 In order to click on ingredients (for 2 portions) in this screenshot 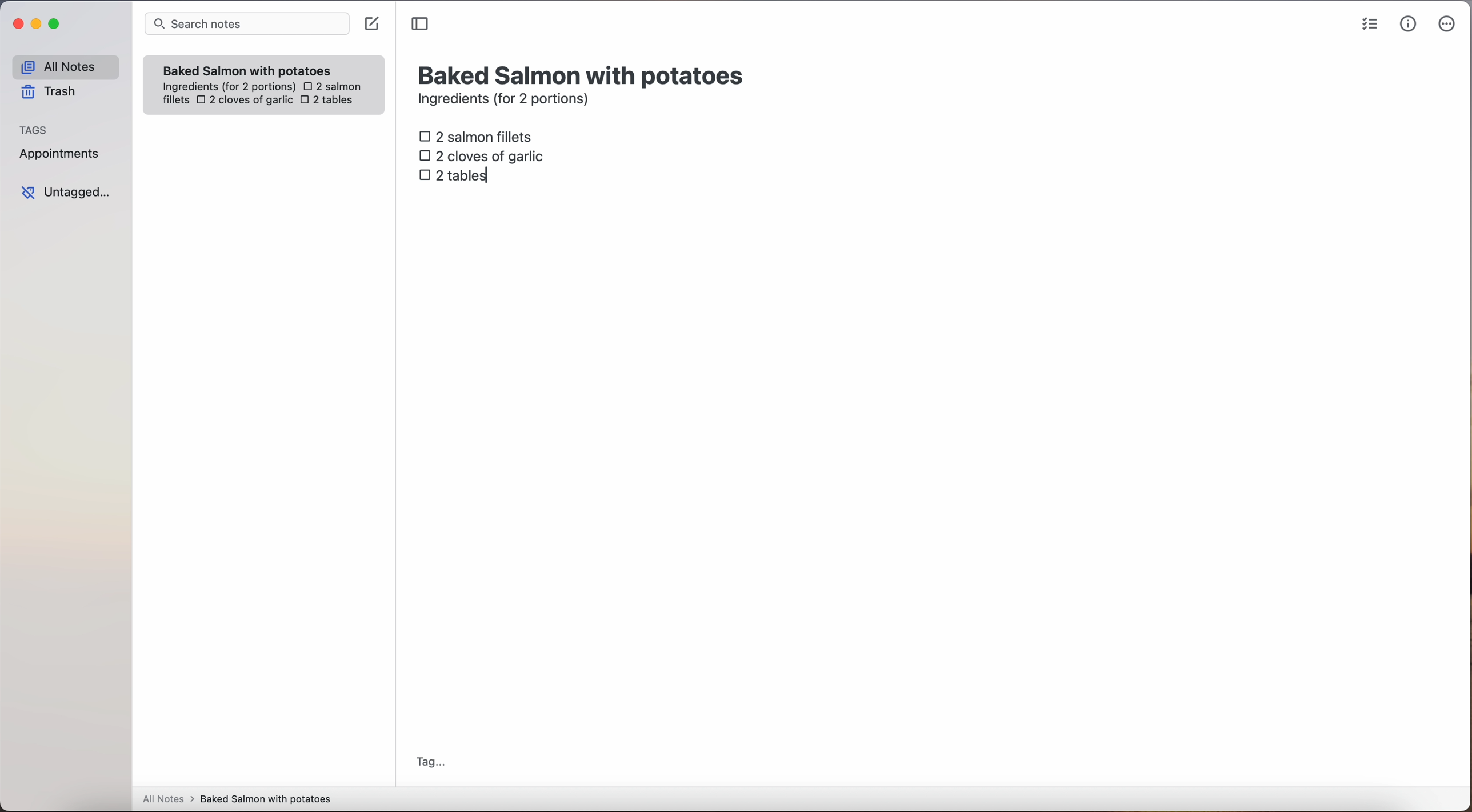, I will do `click(507, 101)`.